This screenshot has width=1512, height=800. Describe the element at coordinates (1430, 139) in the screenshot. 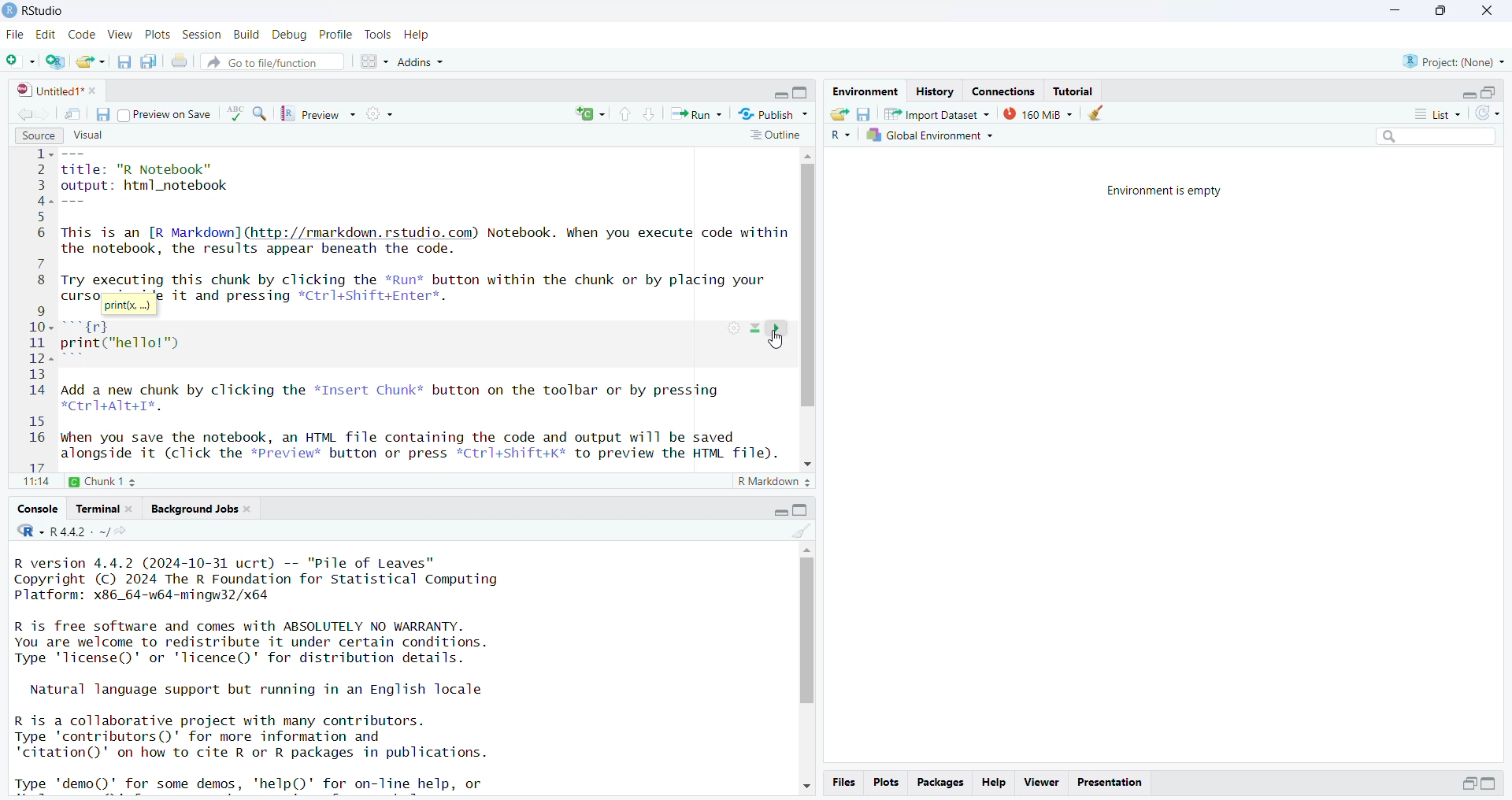

I see `search` at that location.